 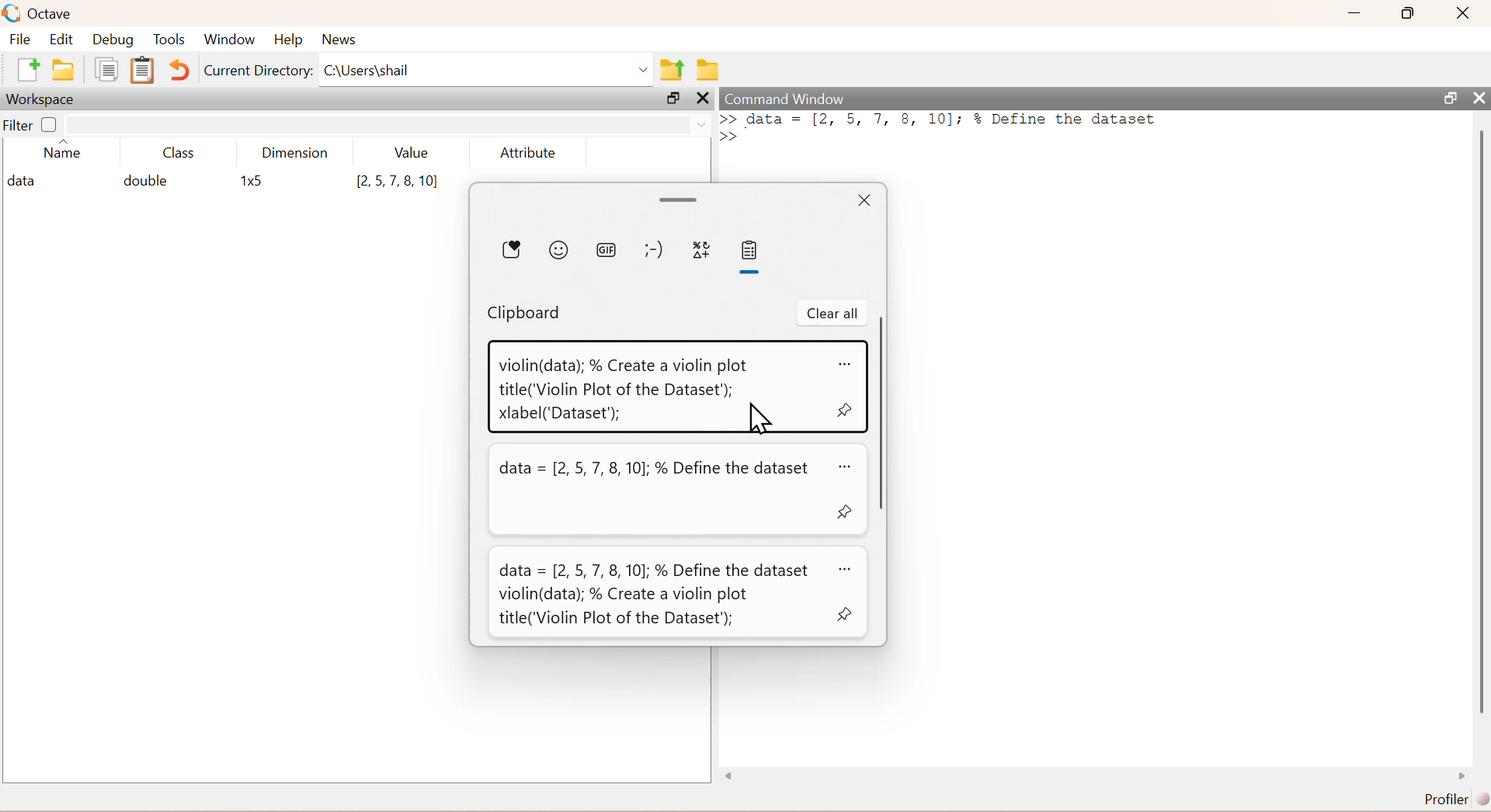 What do you see at coordinates (62, 39) in the screenshot?
I see `edit` at bounding box center [62, 39].